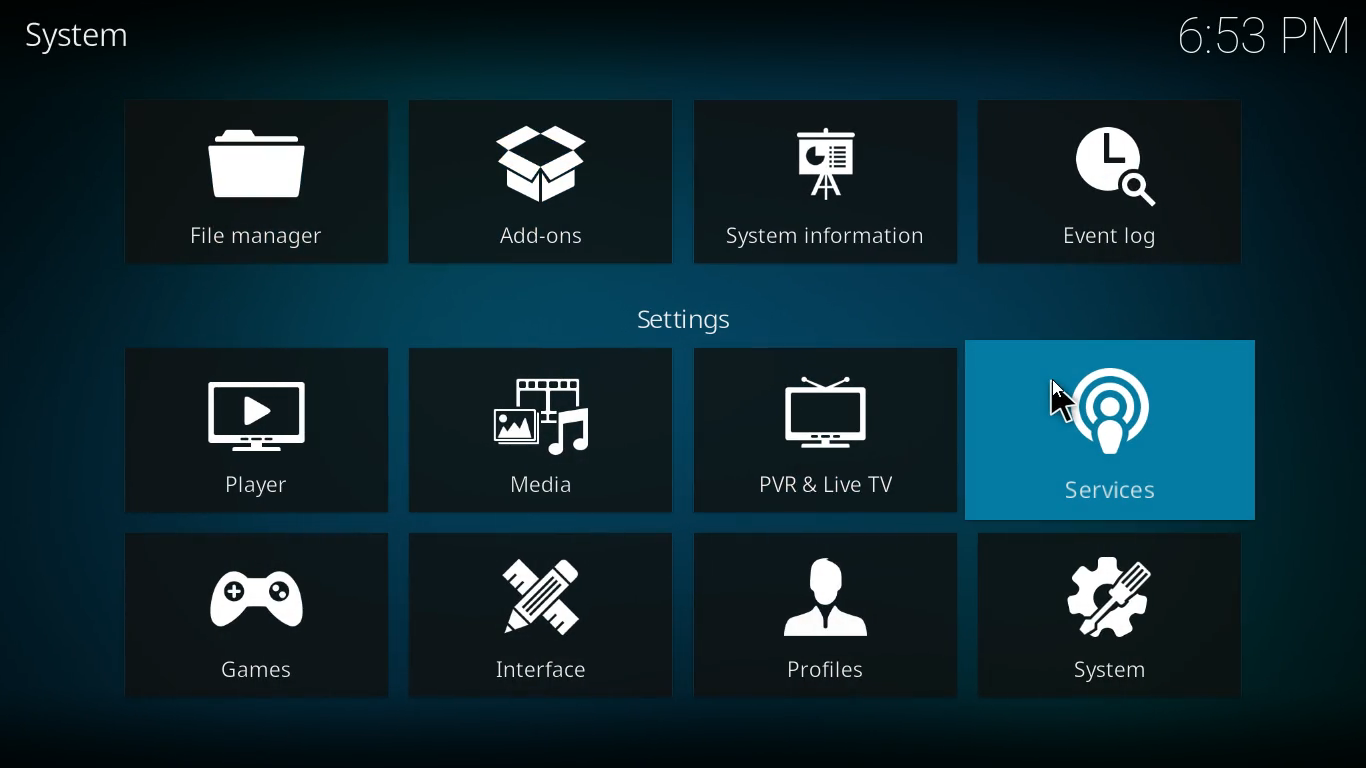  What do you see at coordinates (1261, 37) in the screenshot?
I see `6:53 pm` at bounding box center [1261, 37].